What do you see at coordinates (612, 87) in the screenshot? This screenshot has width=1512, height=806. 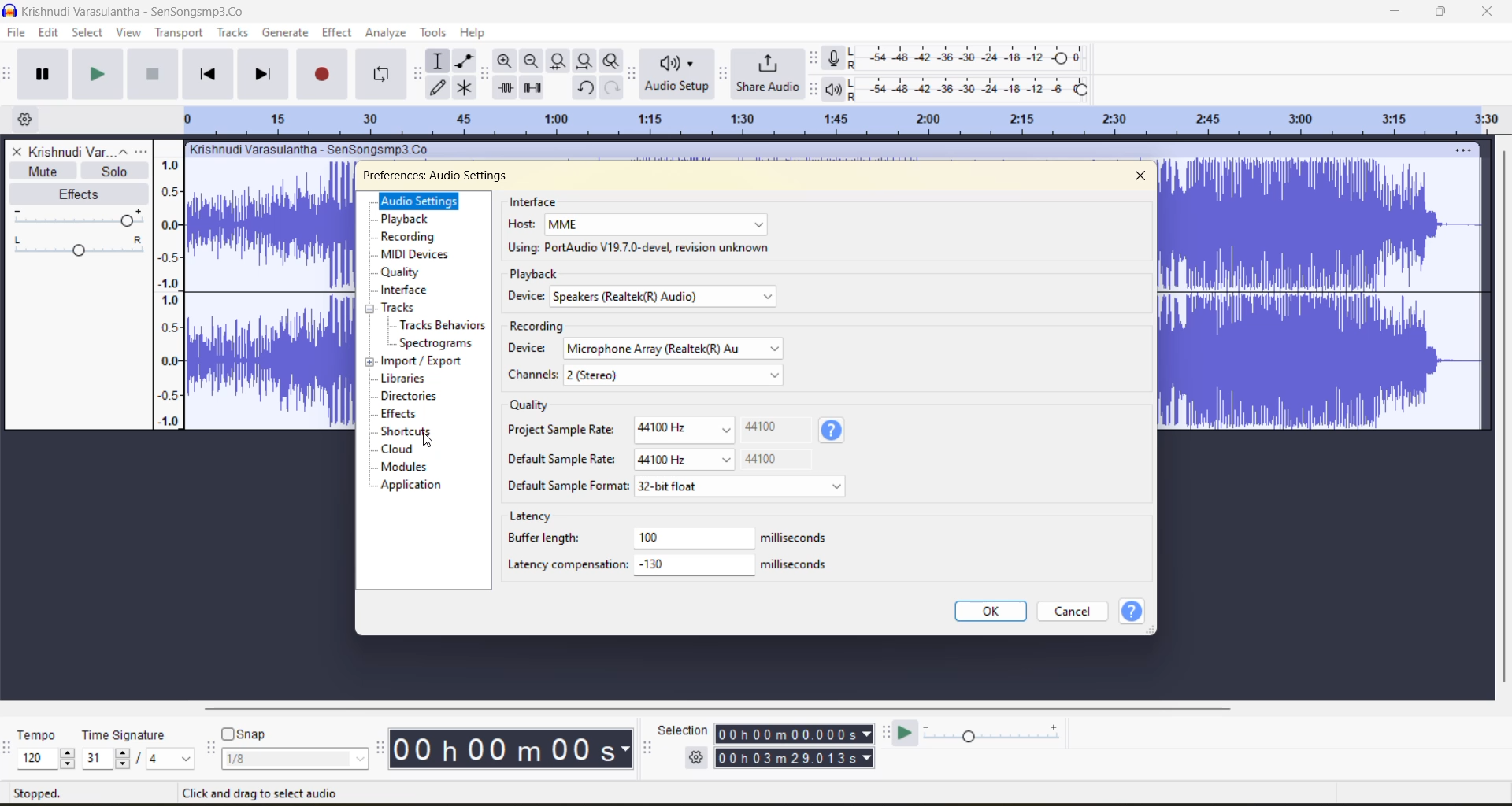 I see `redo` at bounding box center [612, 87].